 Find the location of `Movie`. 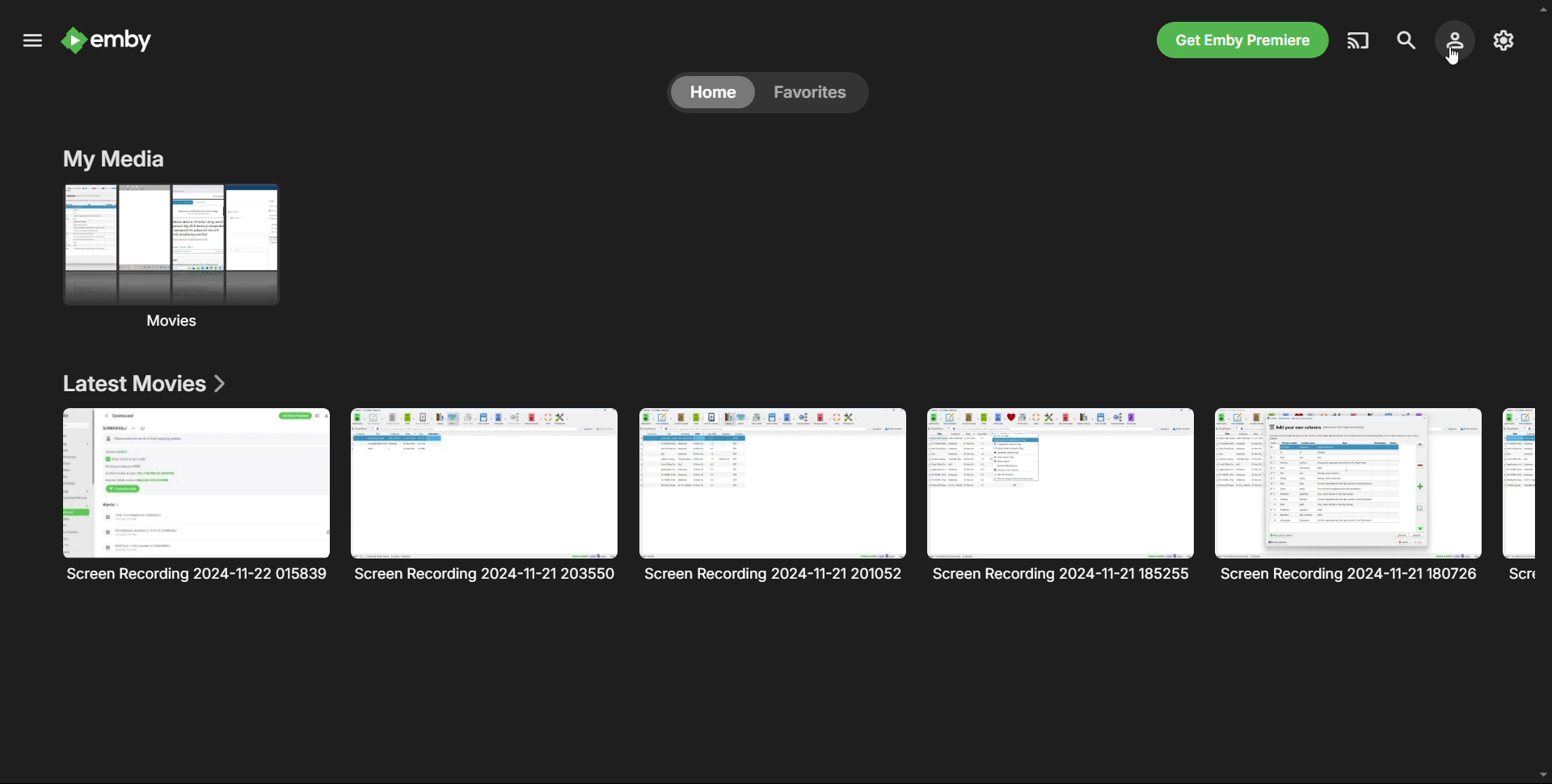

Movie is located at coordinates (484, 495).